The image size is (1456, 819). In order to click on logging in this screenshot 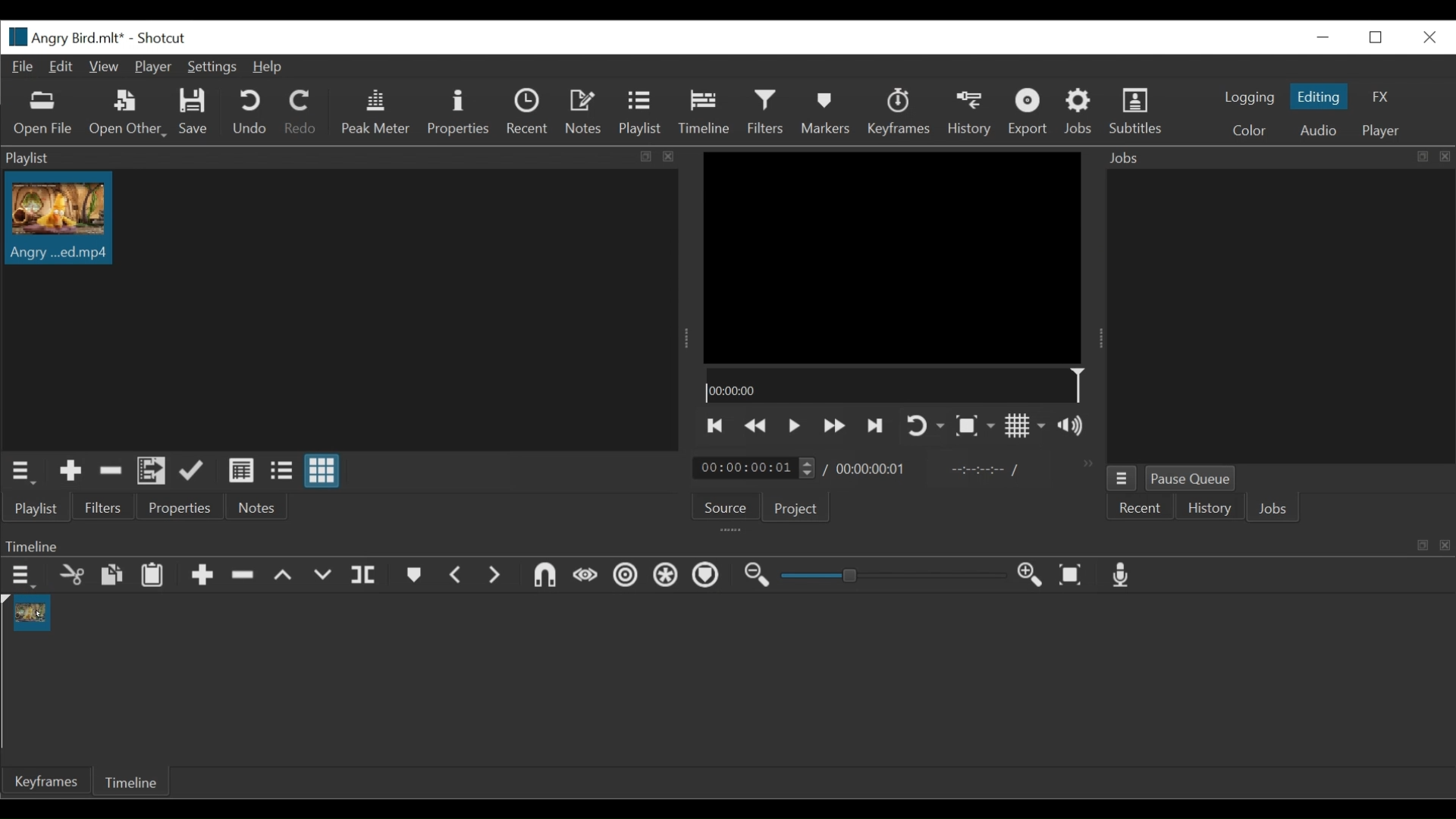, I will do `click(1250, 99)`.